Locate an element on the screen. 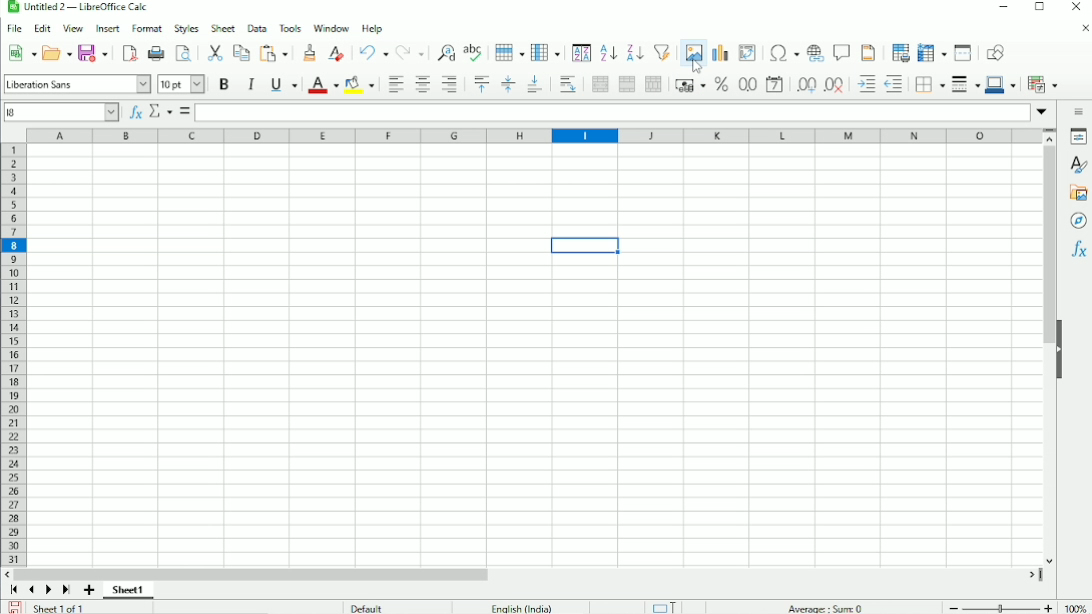  Scroll to next sheet is located at coordinates (49, 590).